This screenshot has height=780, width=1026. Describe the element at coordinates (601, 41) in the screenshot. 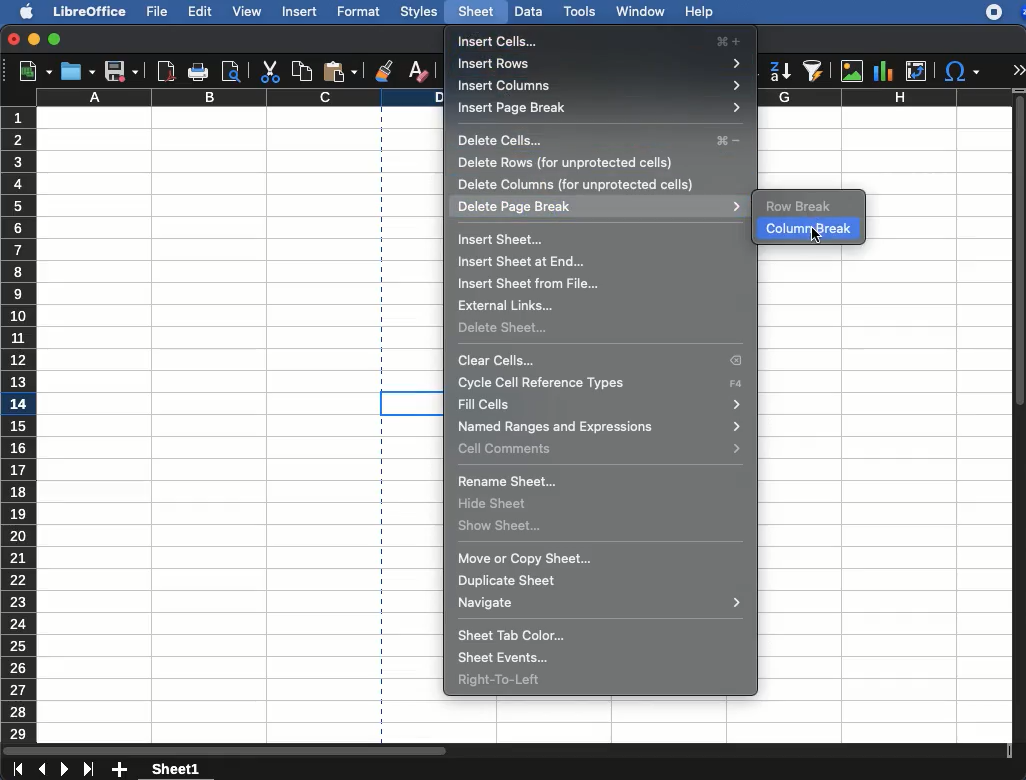

I see `insert cells` at that location.